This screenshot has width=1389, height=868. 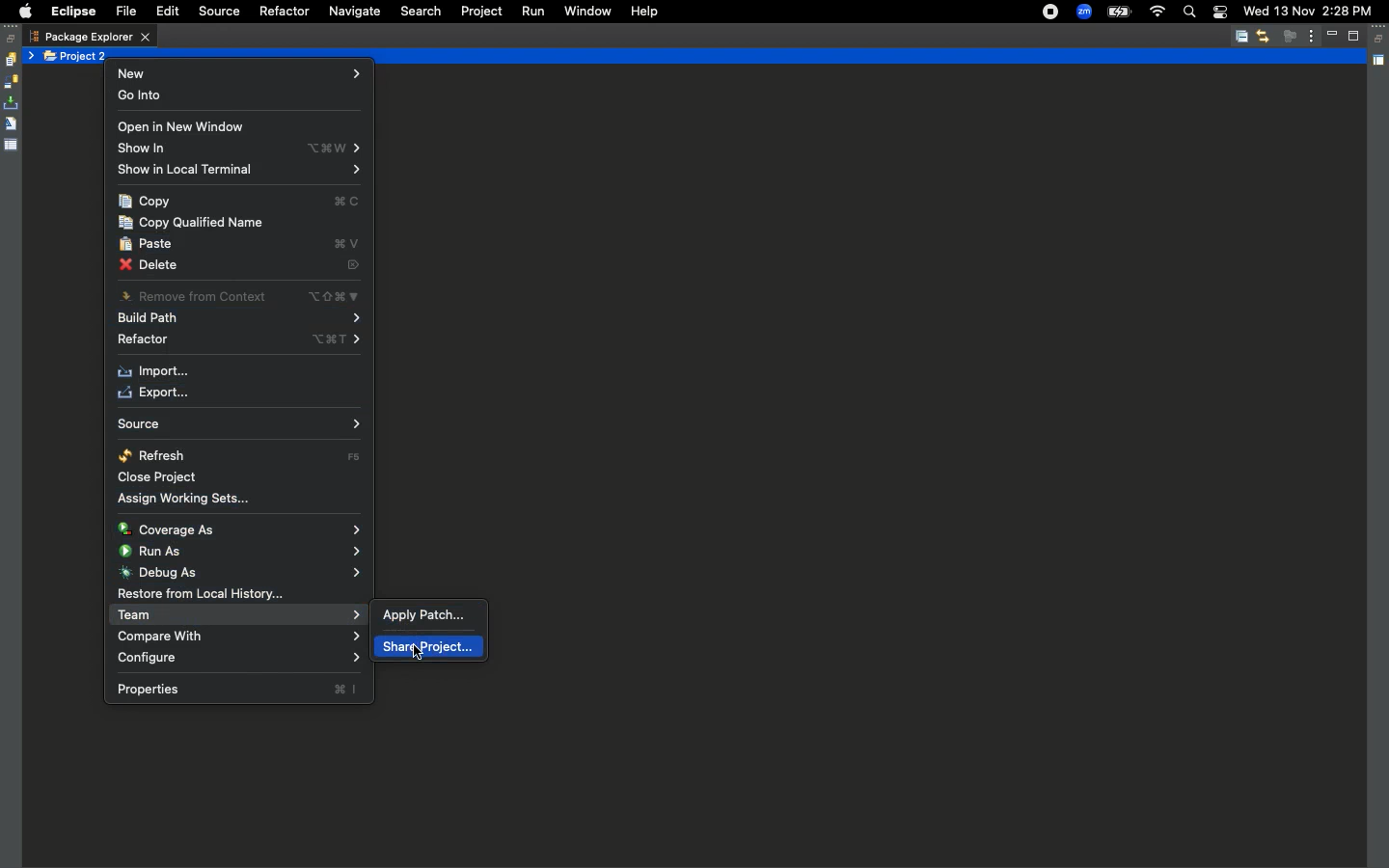 I want to click on Coverage as, so click(x=242, y=529).